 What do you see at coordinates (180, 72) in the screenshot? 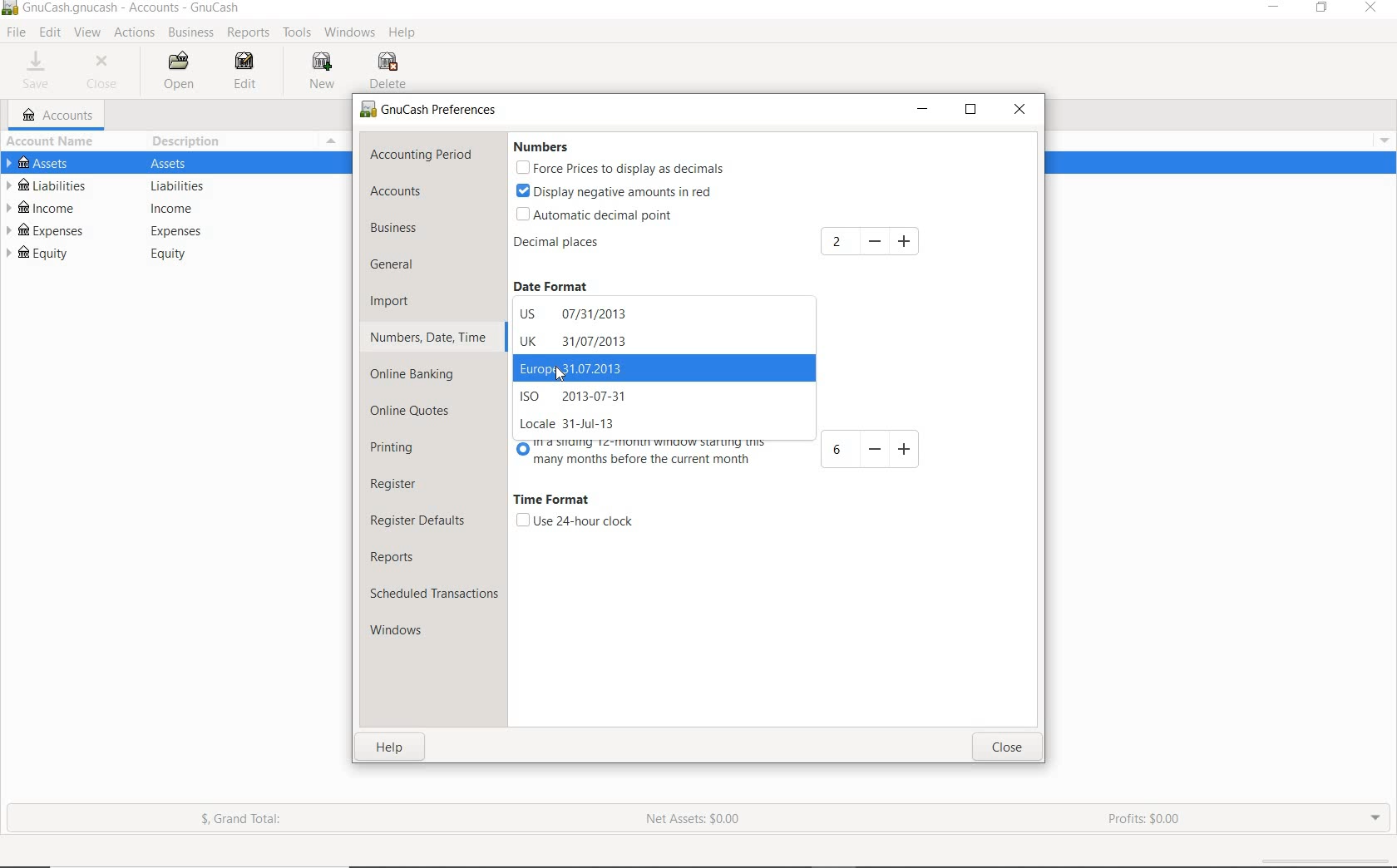
I see `OPEN` at bounding box center [180, 72].